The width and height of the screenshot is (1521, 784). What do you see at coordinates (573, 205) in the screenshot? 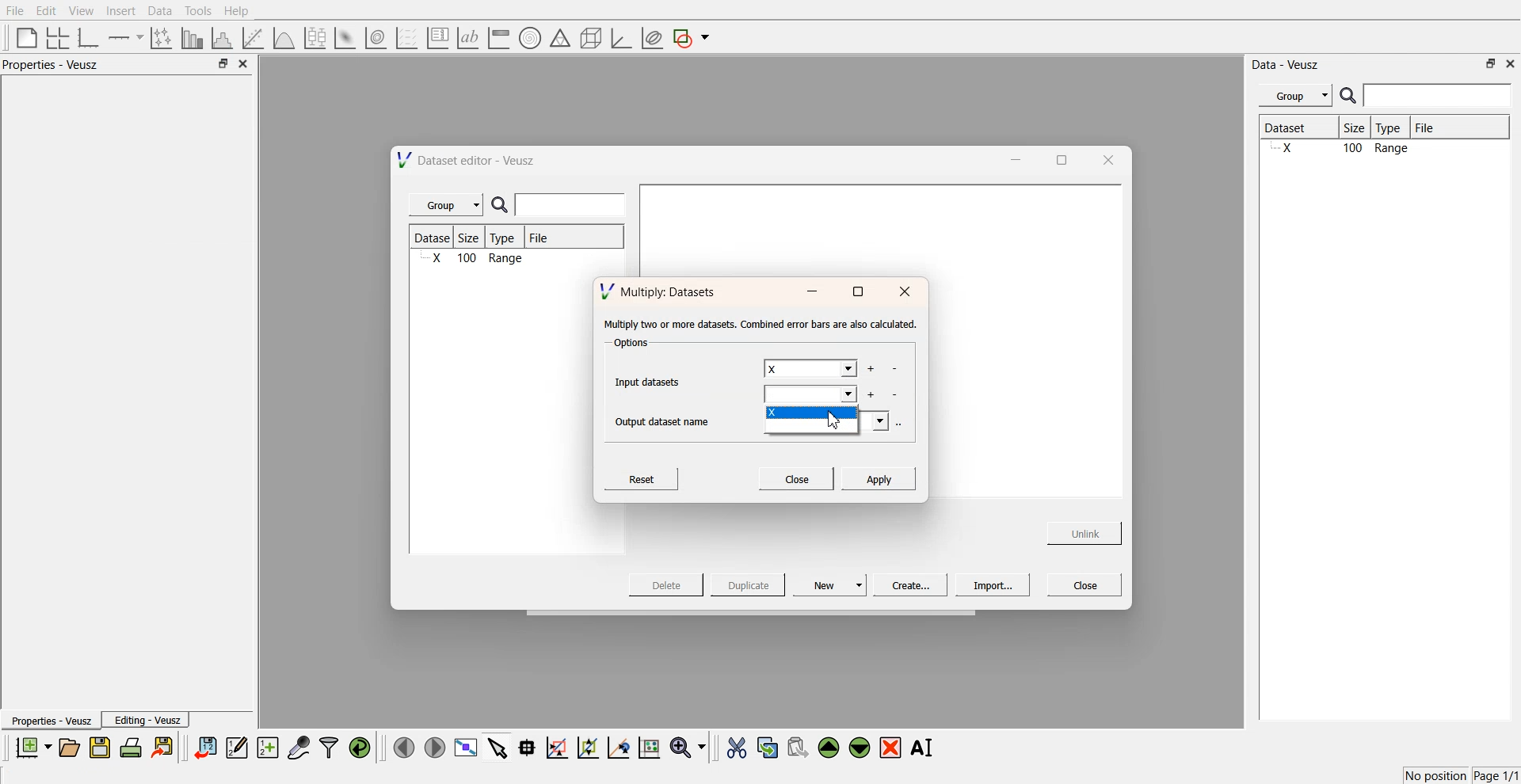
I see `enter search field` at bounding box center [573, 205].